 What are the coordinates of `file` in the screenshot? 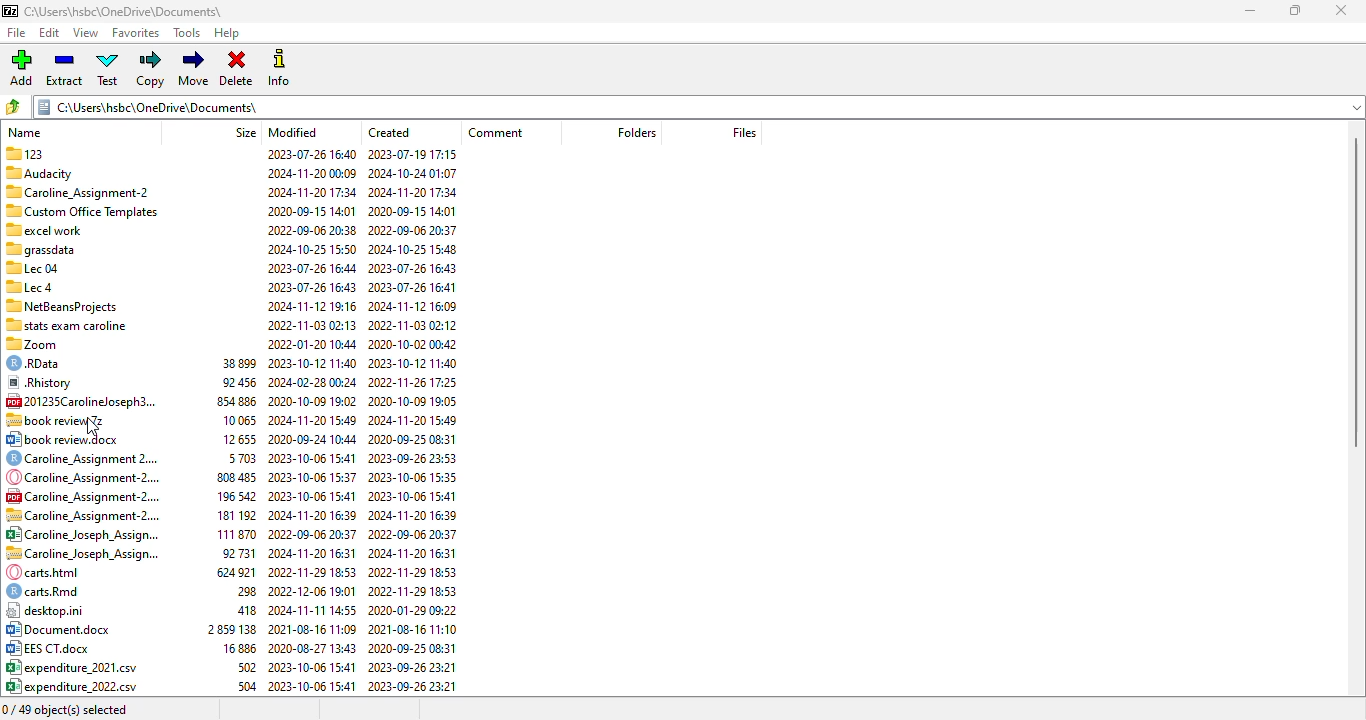 It's located at (16, 32).